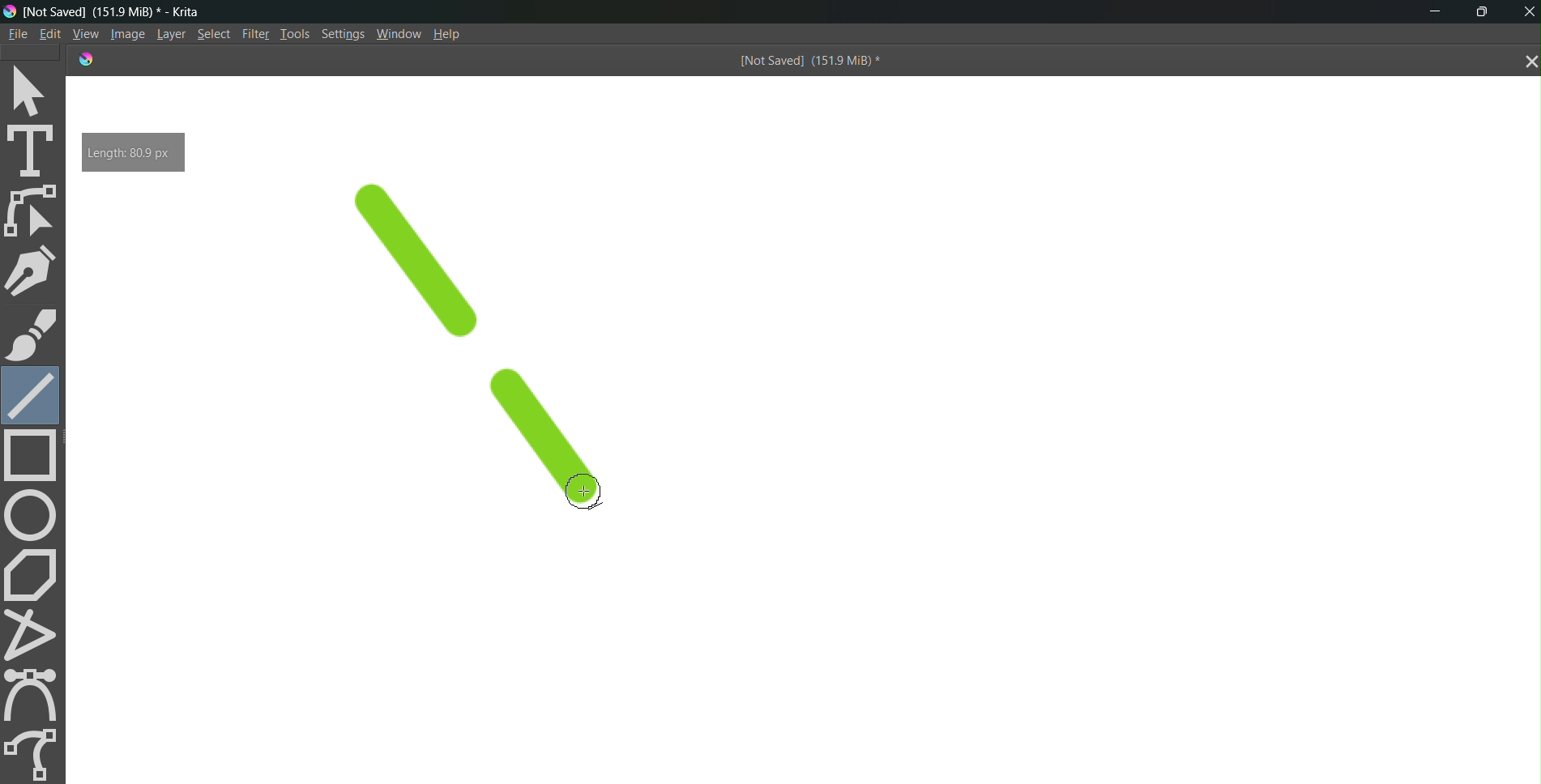 This screenshot has height=784, width=1541. What do you see at coordinates (34, 752) in the screenshot?
I see `freehand` at bounding box center [34, 752].